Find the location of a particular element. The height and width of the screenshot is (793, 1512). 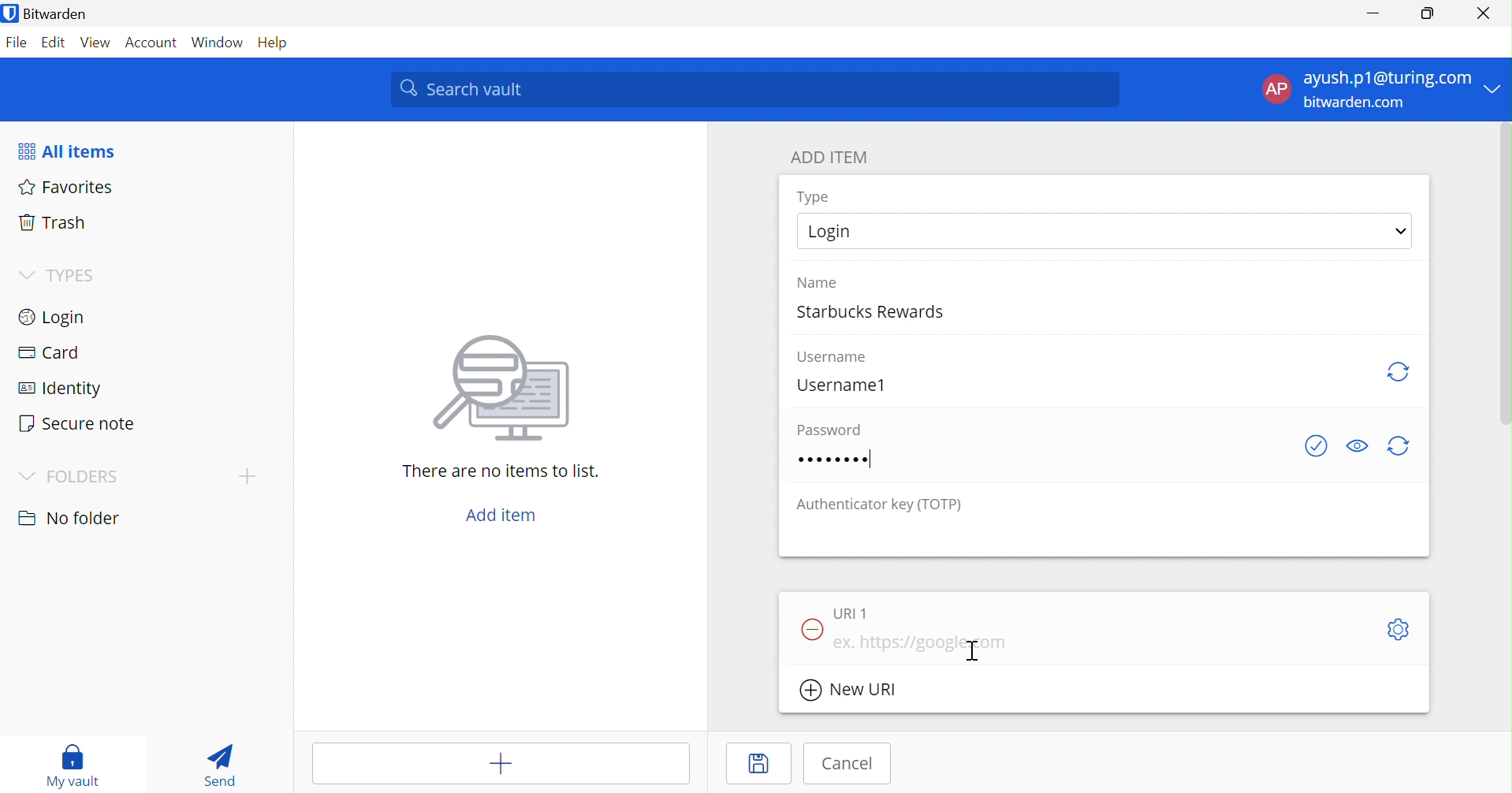

Type is located at coordinates (815, 197).